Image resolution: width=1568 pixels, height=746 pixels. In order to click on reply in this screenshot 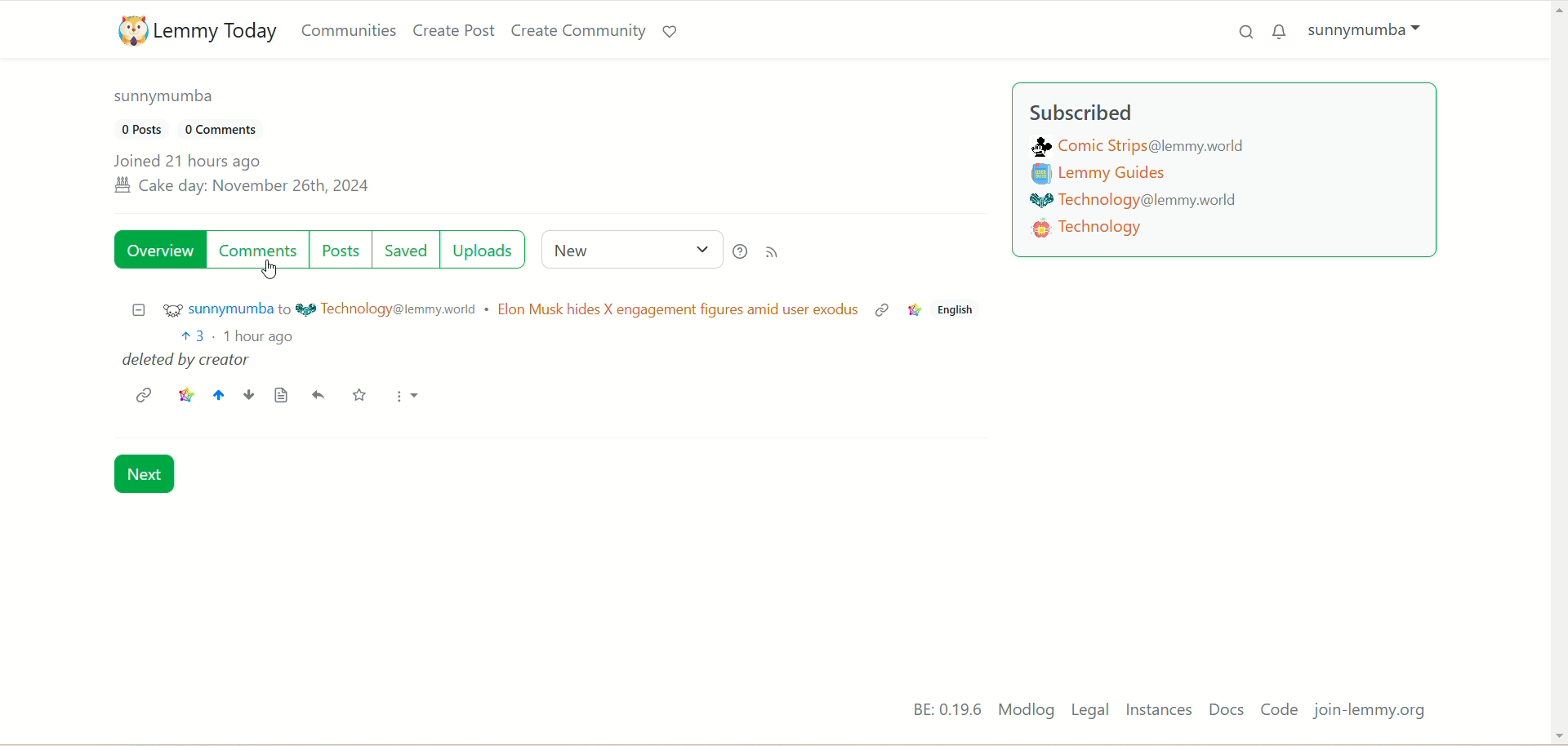, I will do `click(320, 396)`.